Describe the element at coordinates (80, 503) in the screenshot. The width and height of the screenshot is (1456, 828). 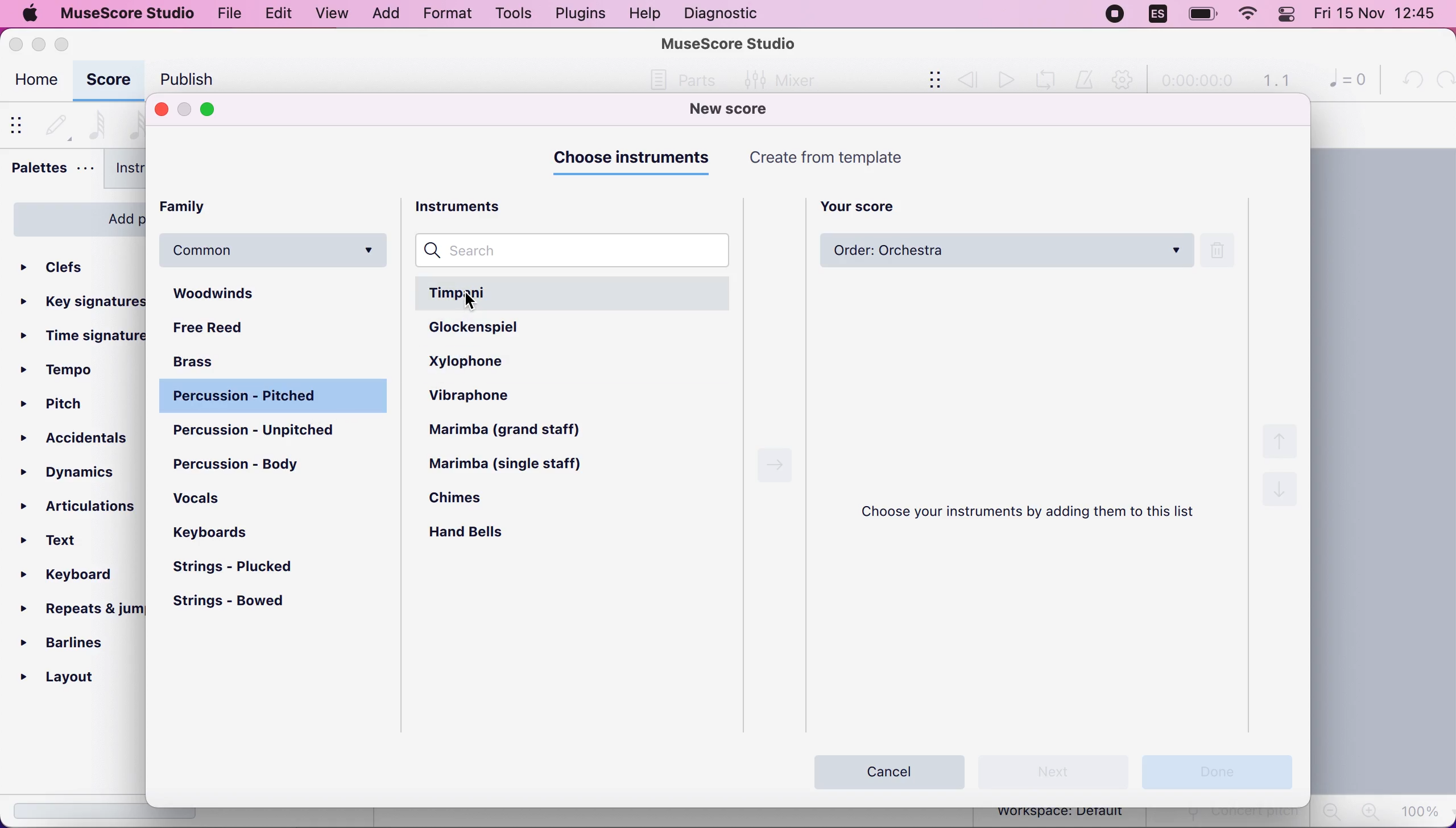
I see `articulations` at that location.